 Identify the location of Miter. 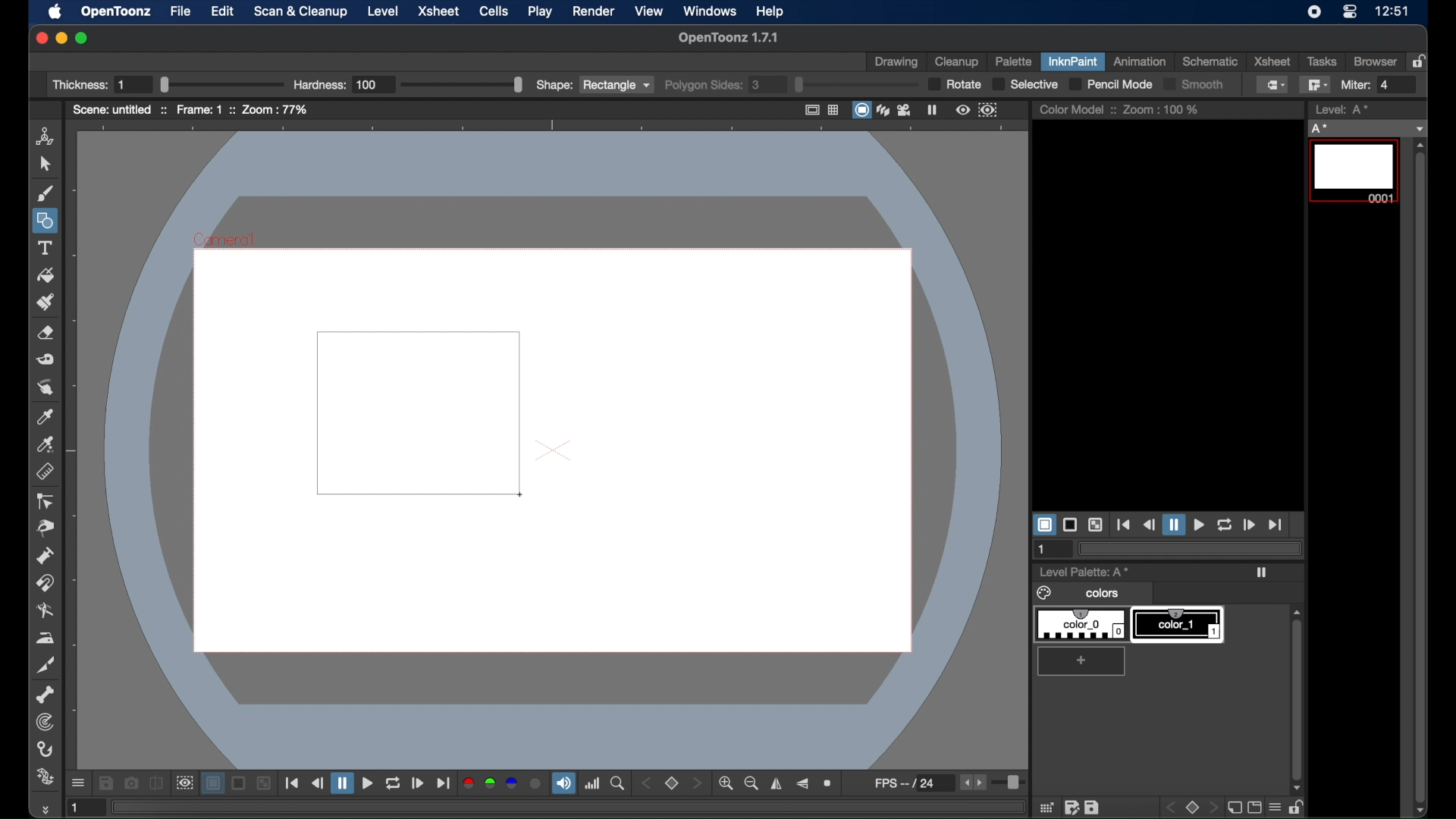
(1375, 85).